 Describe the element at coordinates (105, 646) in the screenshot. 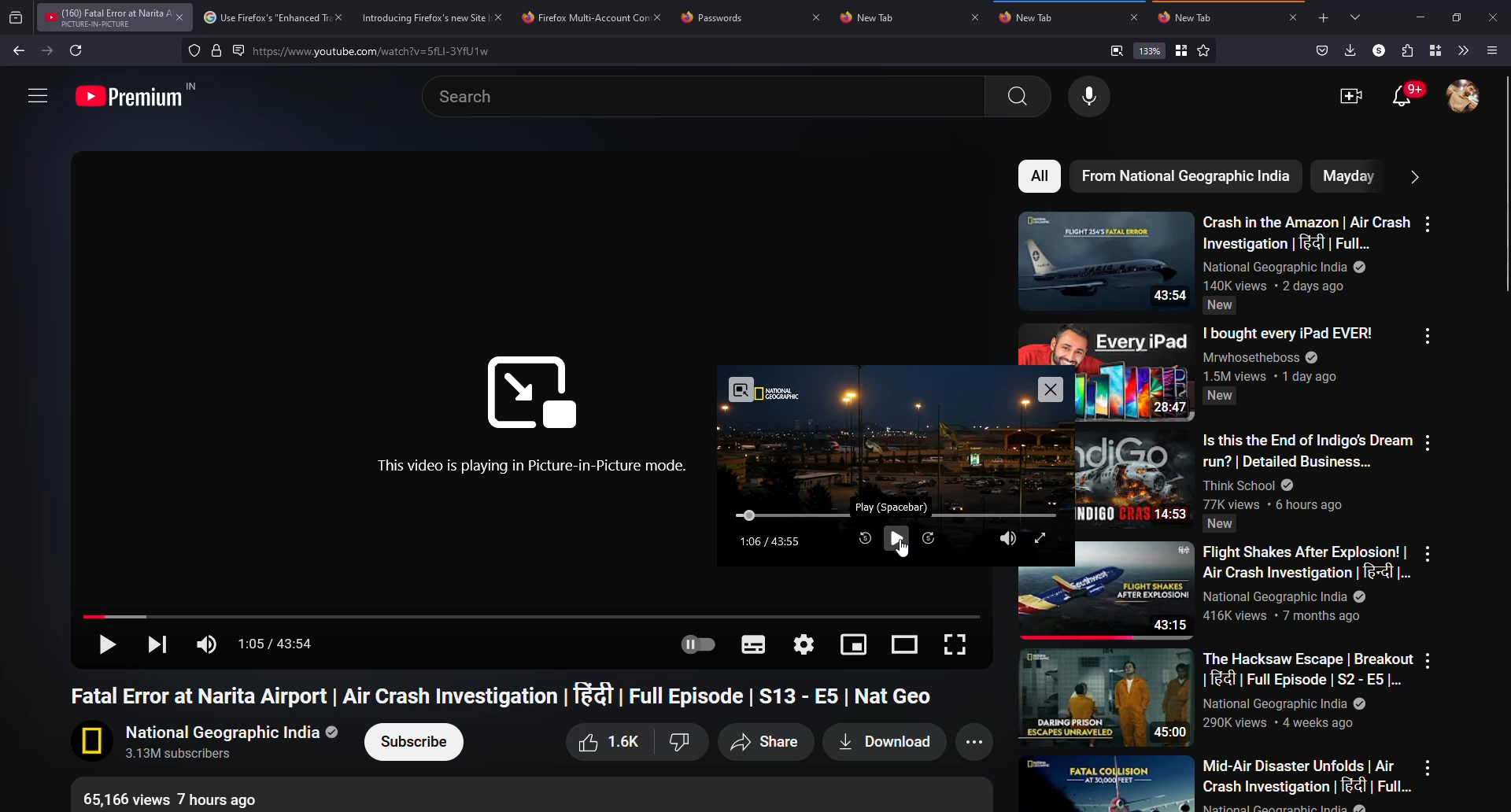

I see `play` at that location.